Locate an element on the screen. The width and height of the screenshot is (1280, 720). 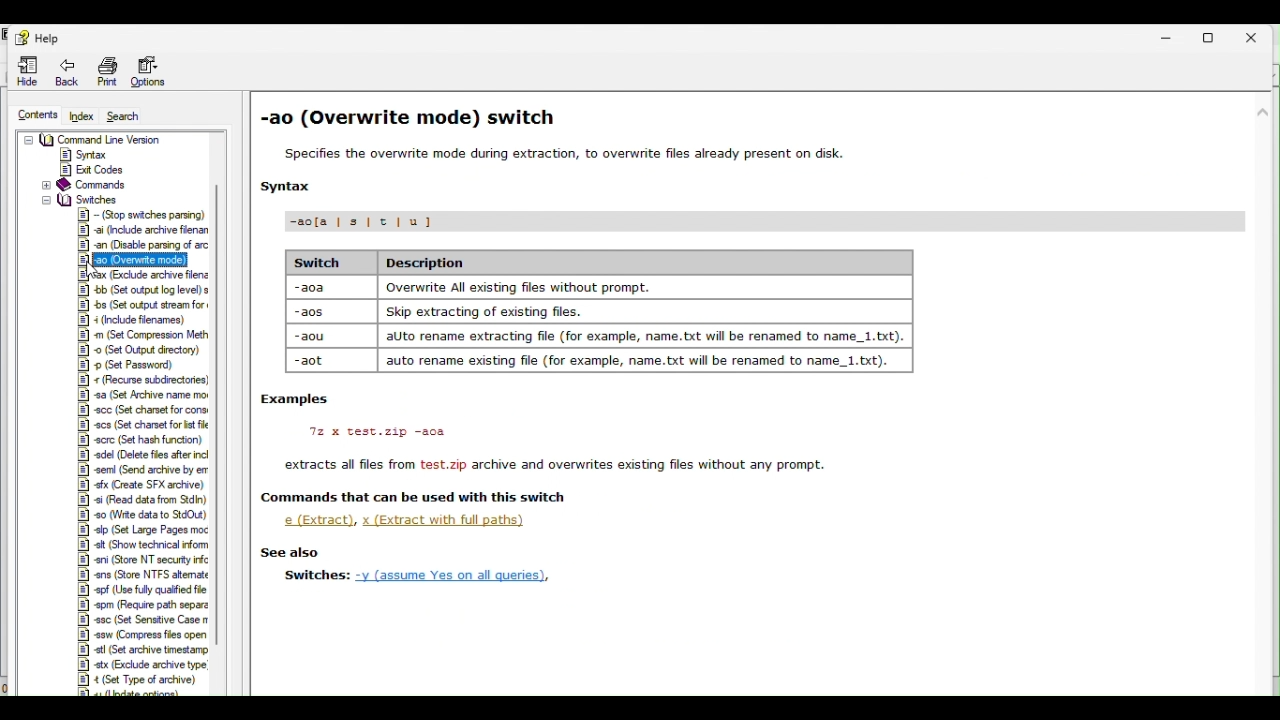
Help is located at coordinates (46, 38).